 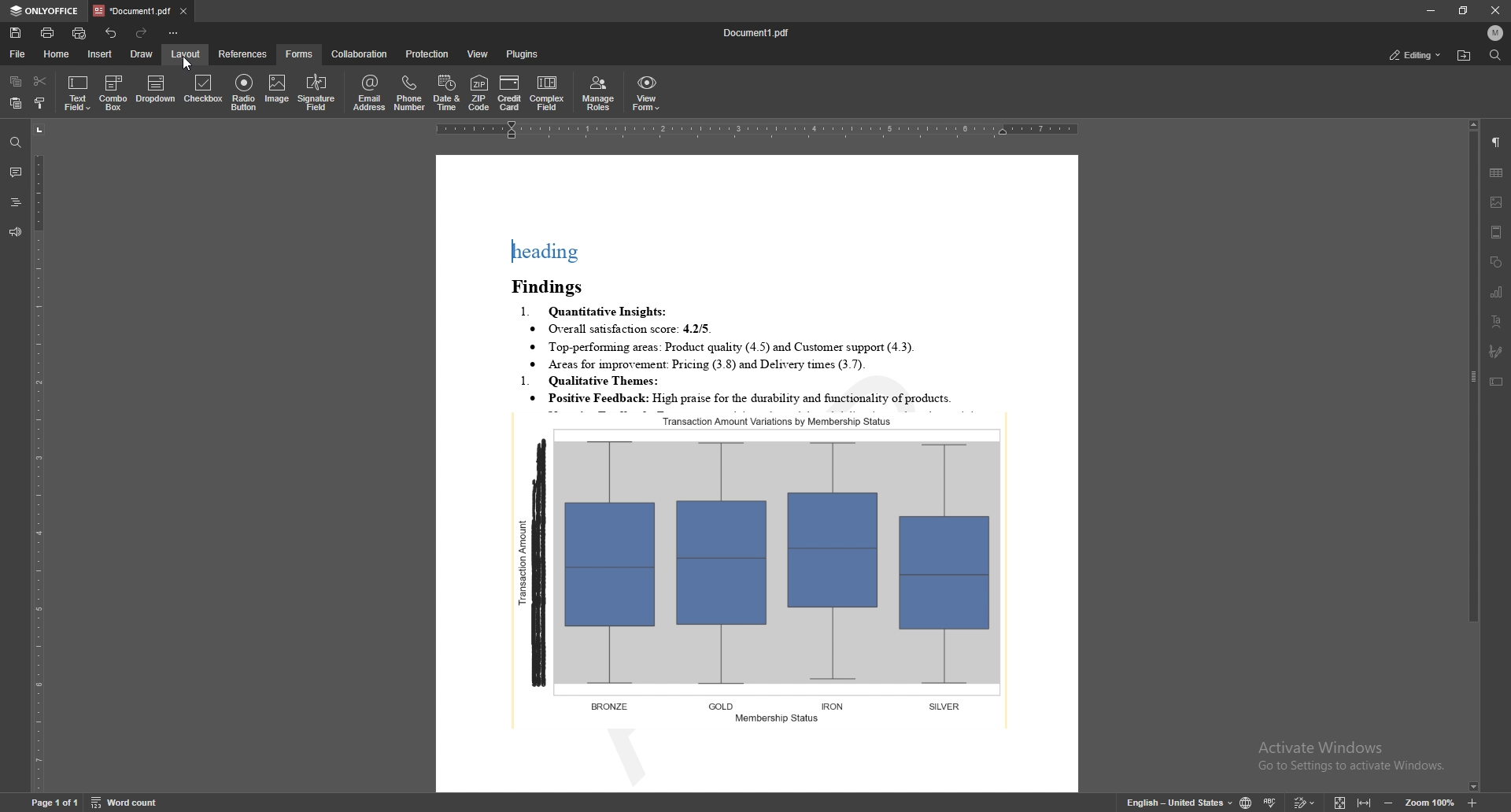 What do you see at coordinates (1498, 321) in the screenshot?
I see `text art` at bounding box center [1498, 321].